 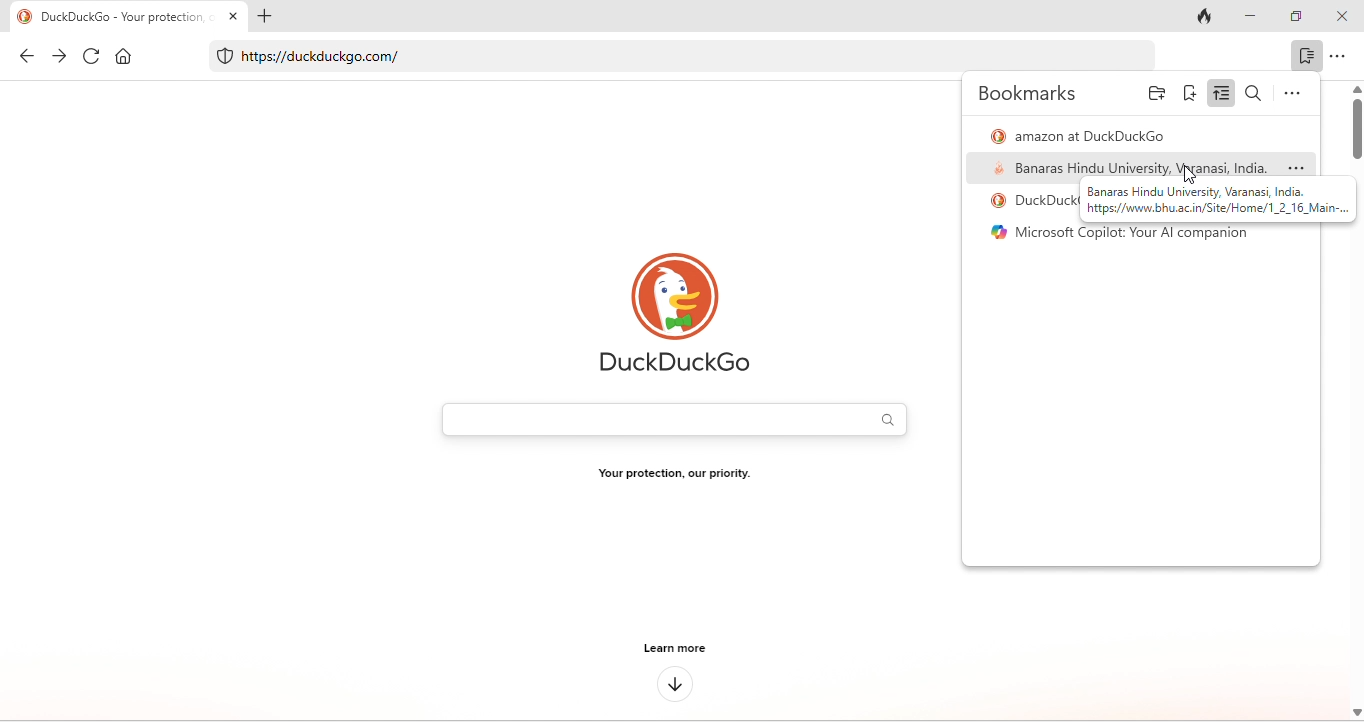 What do you see at coordinates (1343, 17) in the screenshot?
I see `close` at bounding box center [1343, 17].